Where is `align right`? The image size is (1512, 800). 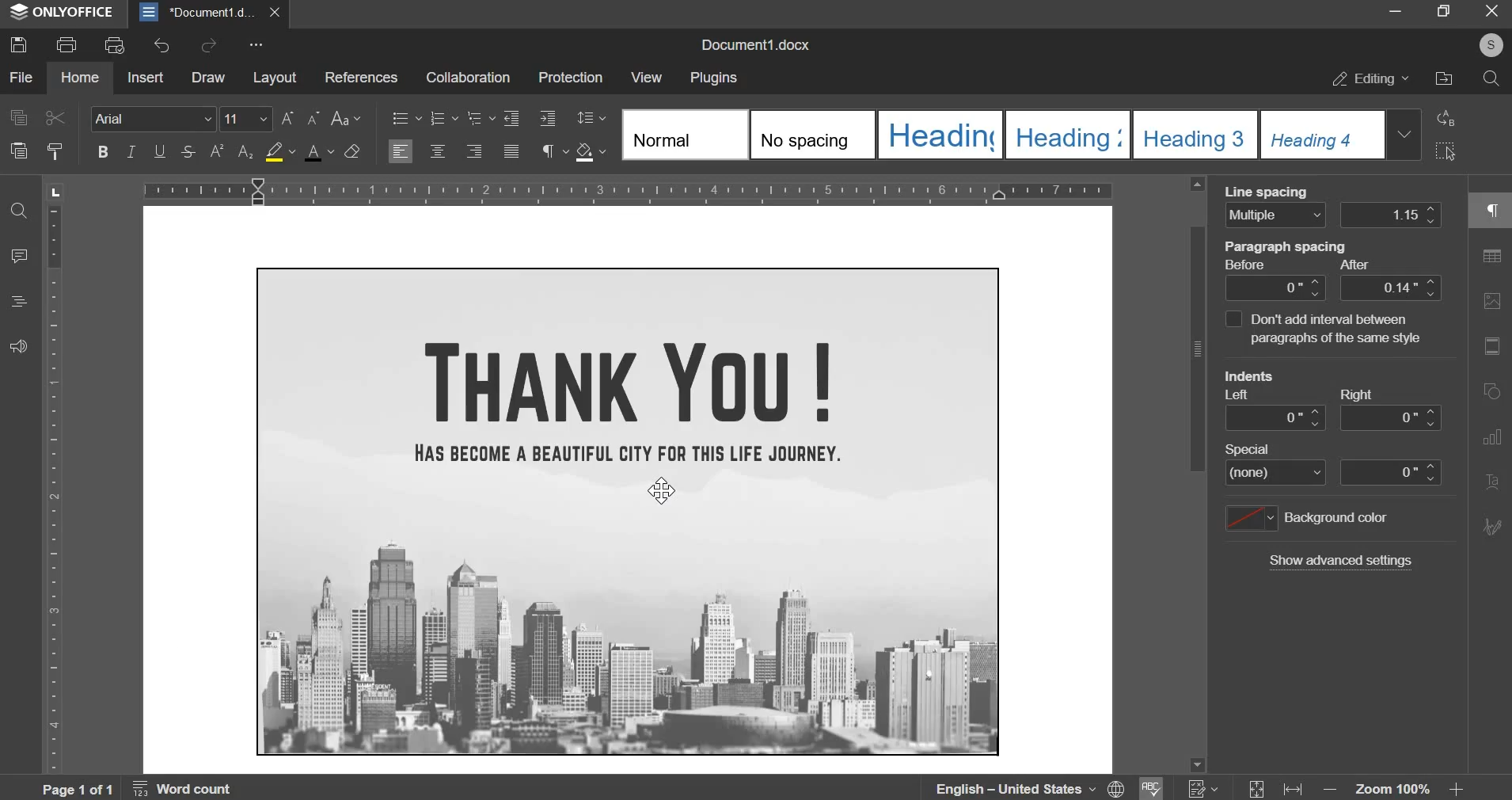
align right is located at coordinates (476, 149).